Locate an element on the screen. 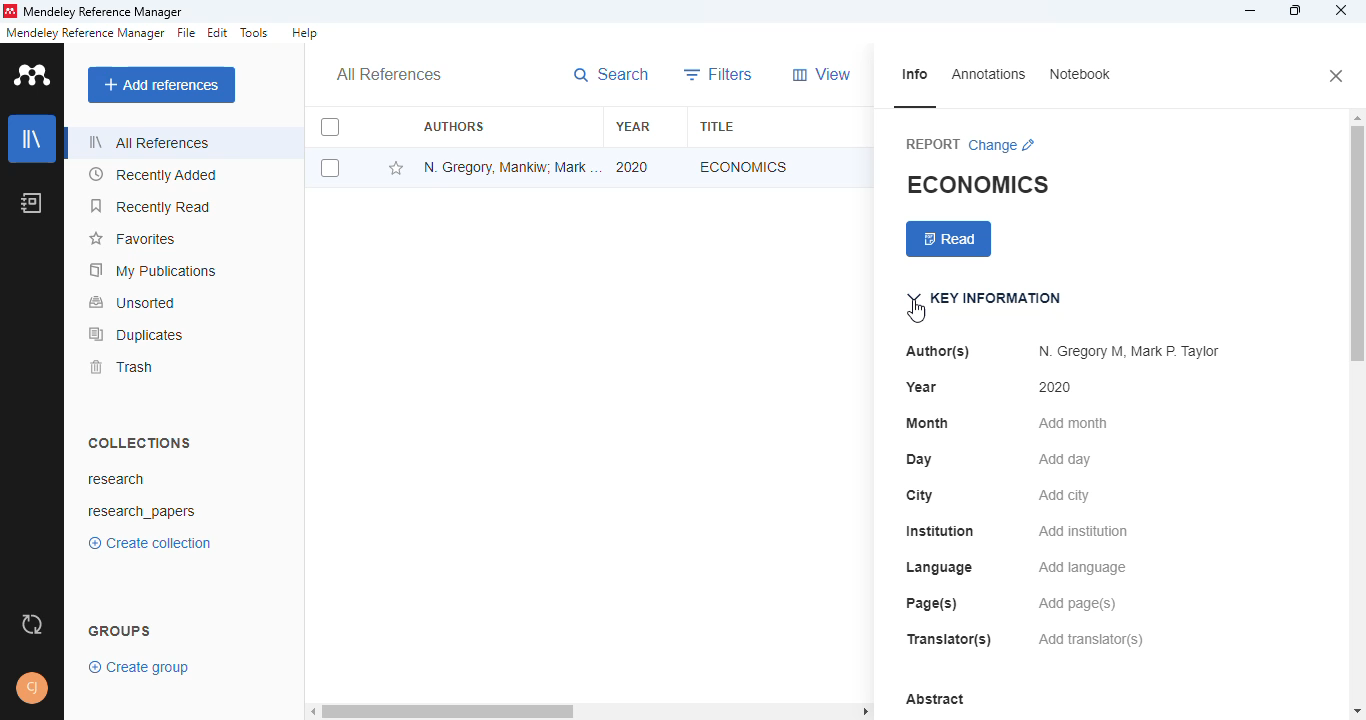 The image size is (1366, 720). close is located at coordinates (1338, 77).